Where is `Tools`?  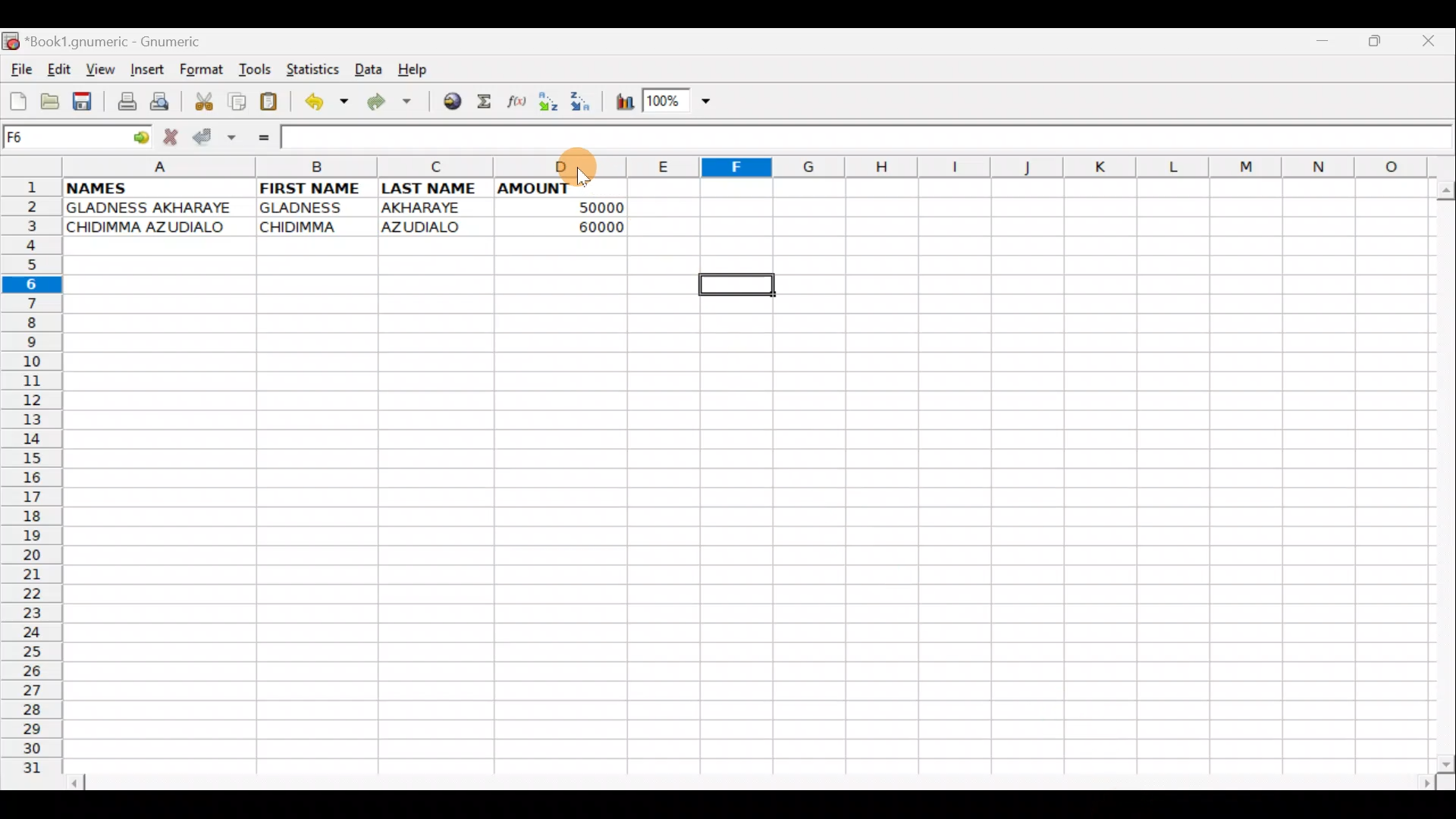
Tools is located at coordinates (250, 71).